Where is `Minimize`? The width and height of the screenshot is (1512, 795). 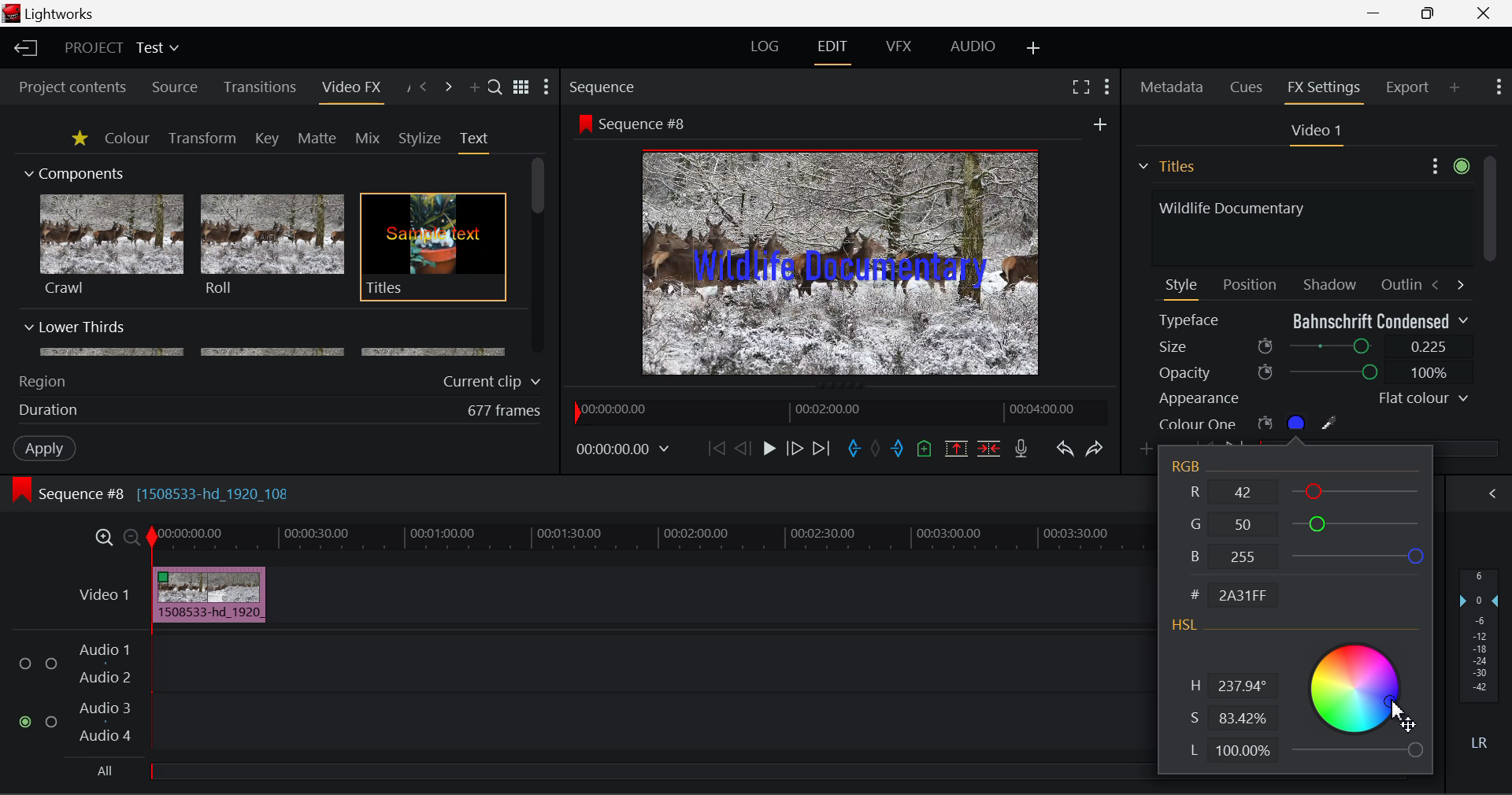
Minimize is located at coordinates (1432, 12).